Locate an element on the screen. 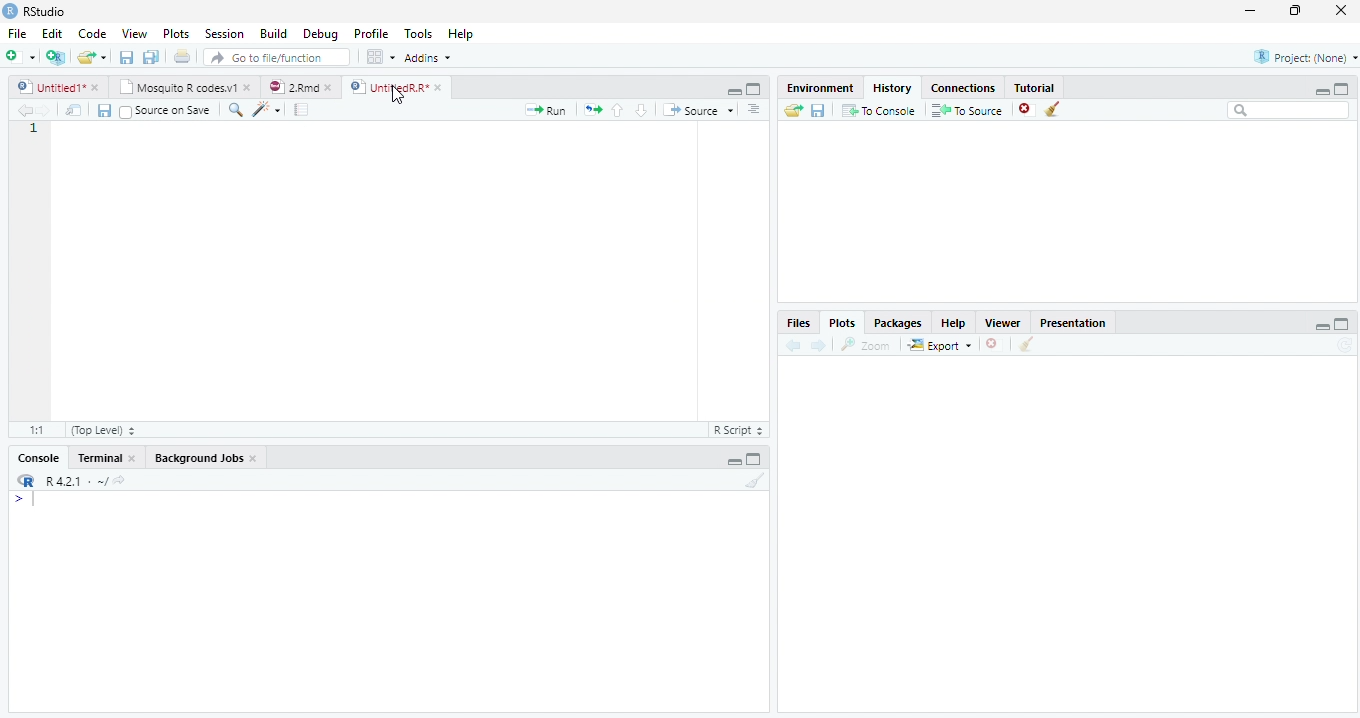 The image size is (1360, 718). Back is located at coordinates (23, 110).